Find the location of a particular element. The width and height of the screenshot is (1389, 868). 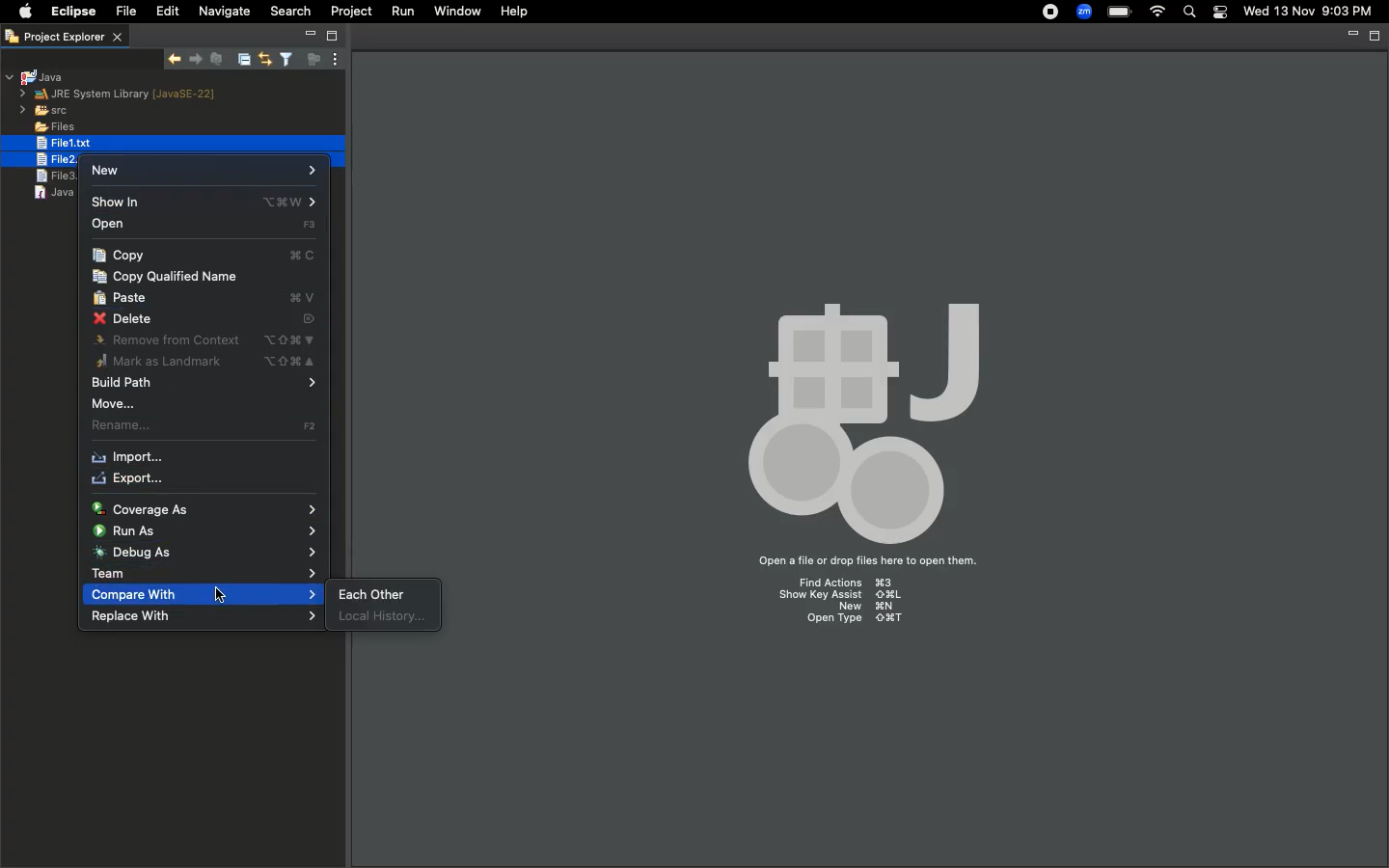

Move is located at coordinates (121, 403).